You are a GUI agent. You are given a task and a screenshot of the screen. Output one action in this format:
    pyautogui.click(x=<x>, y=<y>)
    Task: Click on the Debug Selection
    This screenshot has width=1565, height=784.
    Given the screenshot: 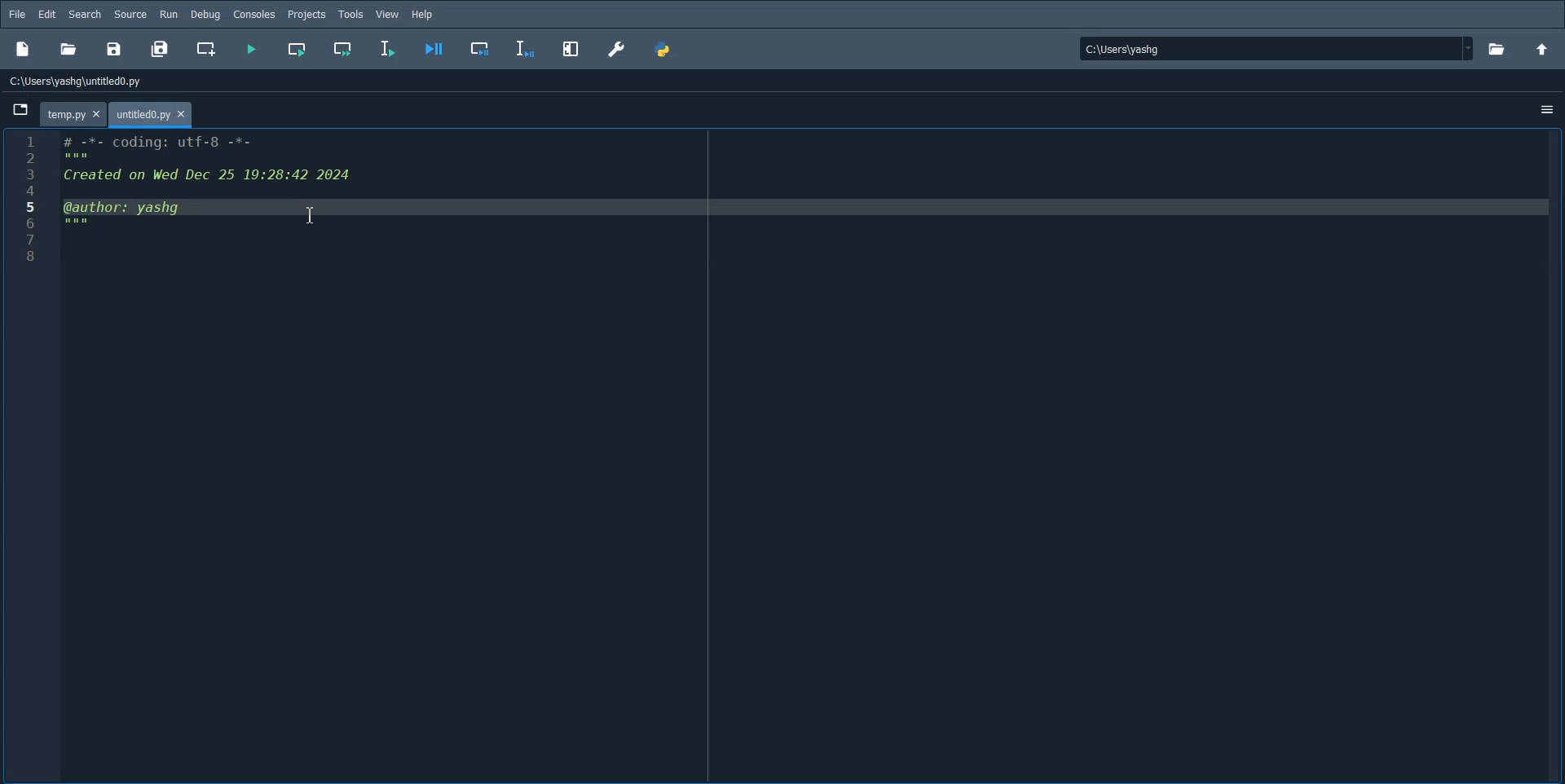 What is the action you would take?
    pyautogui.click(x=524, y=51)
    